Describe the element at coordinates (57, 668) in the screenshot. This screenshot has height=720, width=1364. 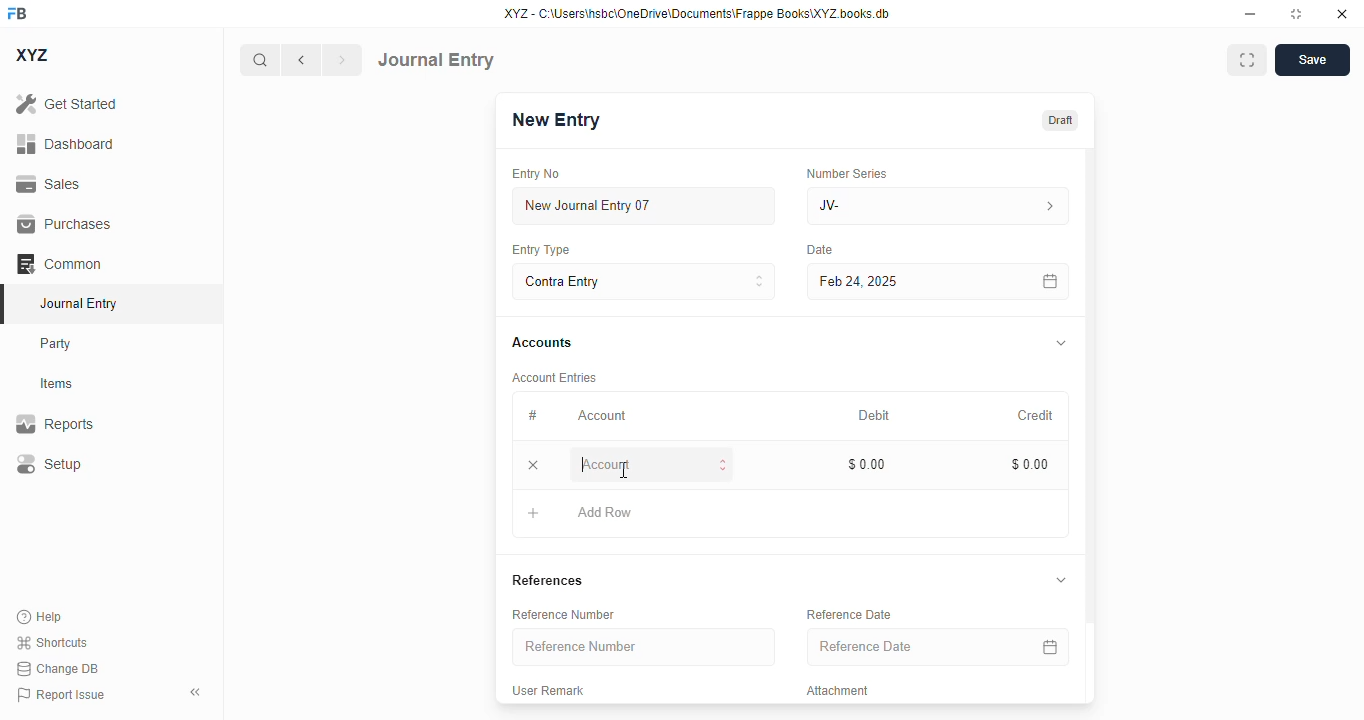
I see `change DB` at that location.